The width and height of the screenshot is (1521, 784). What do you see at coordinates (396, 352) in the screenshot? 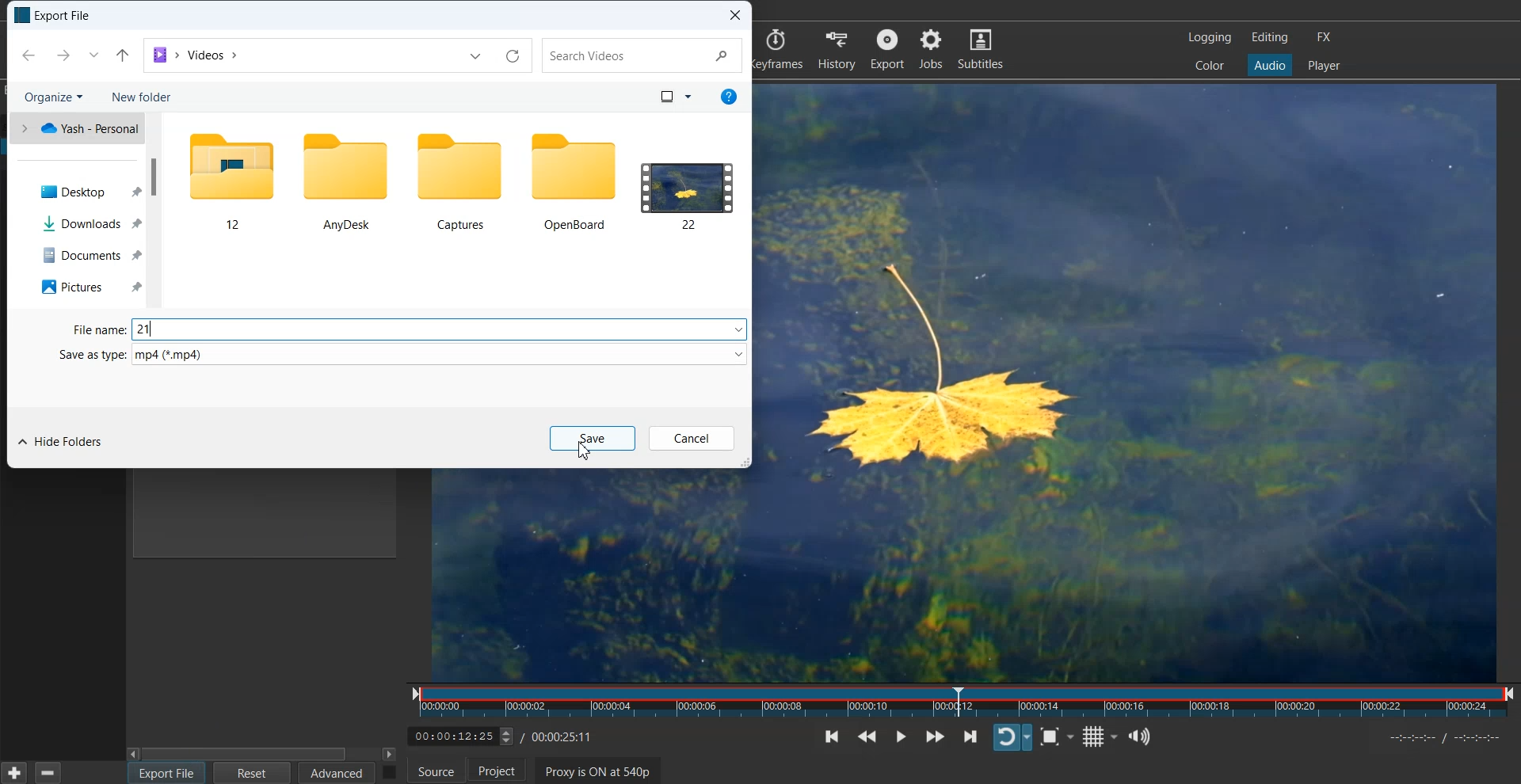
I see `Save type` at bounding box center [396, 352].